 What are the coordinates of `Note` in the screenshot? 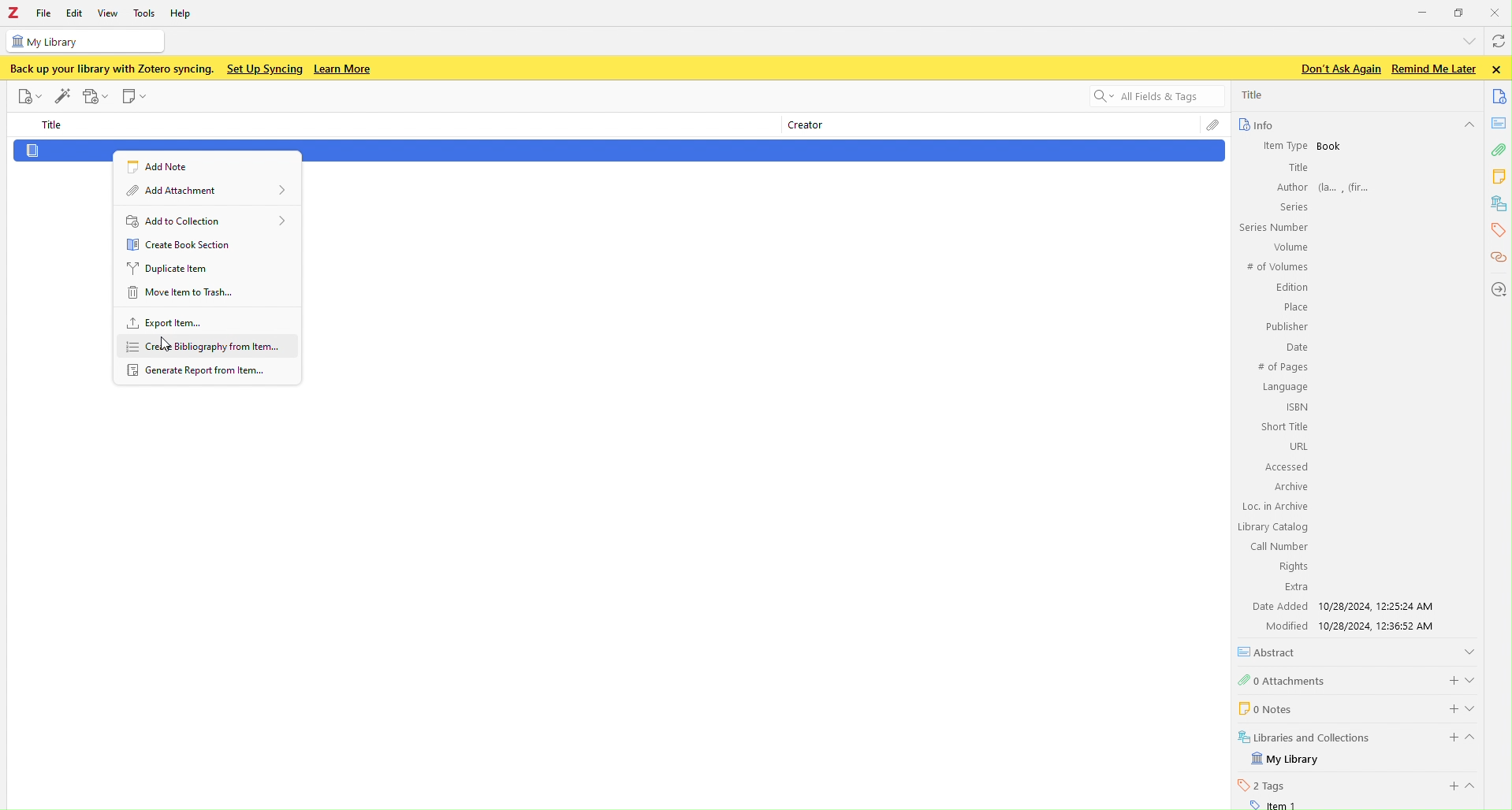 It's located at (136, 97).